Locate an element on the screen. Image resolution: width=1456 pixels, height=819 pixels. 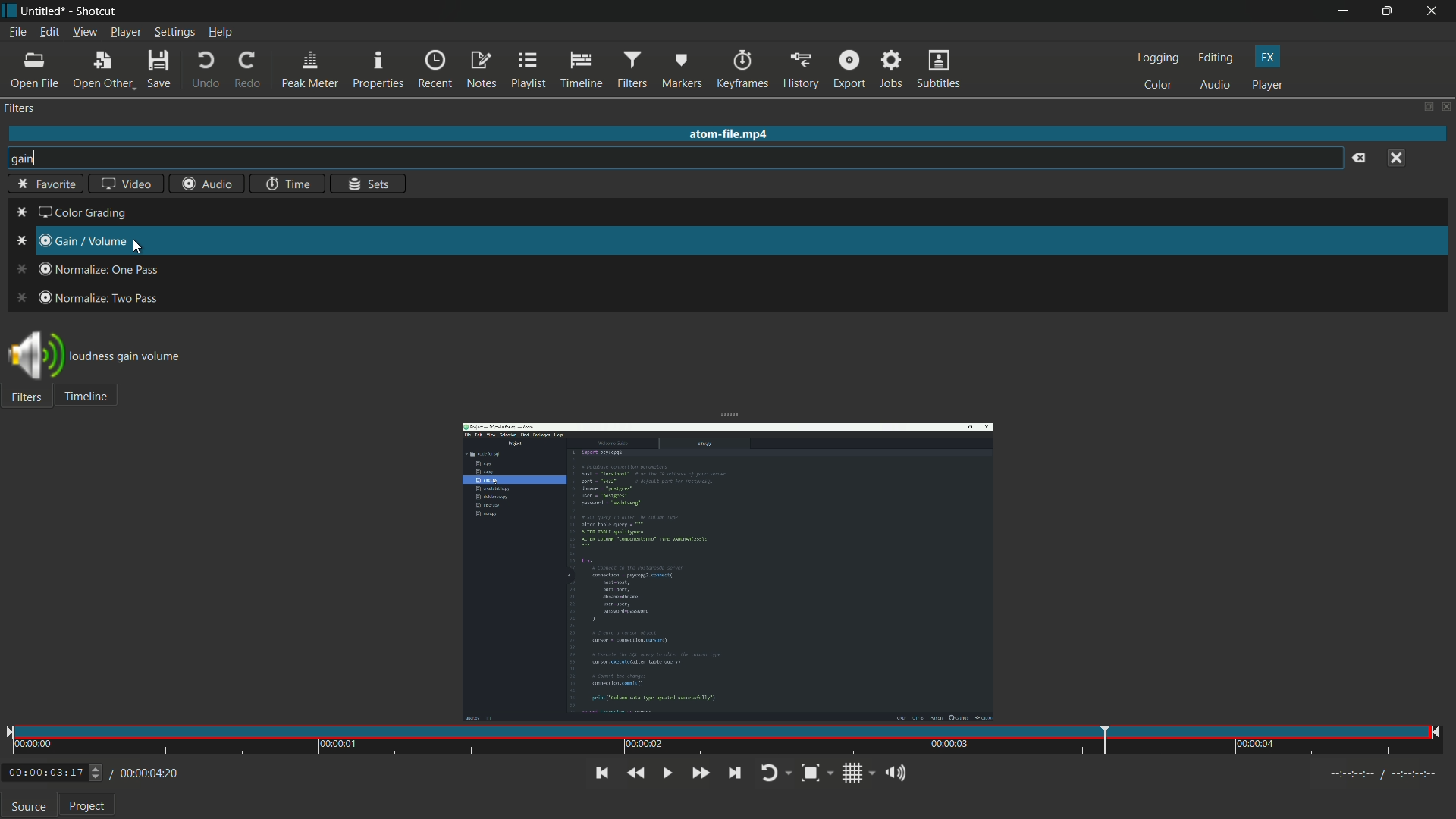
Timecodes is located at coordinates (1385, 777).